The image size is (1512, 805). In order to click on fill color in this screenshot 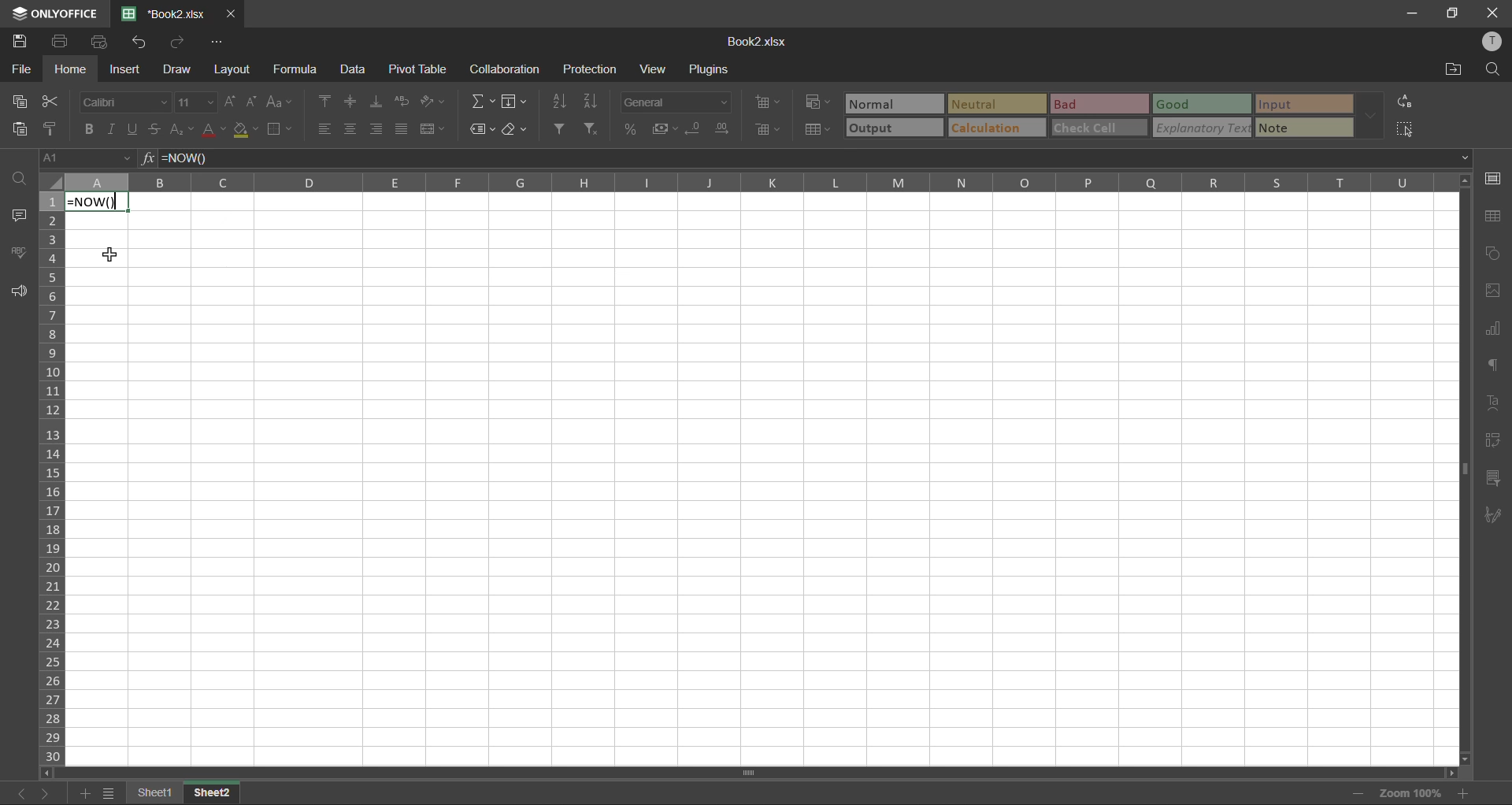, I will do `click(247, 129)`.